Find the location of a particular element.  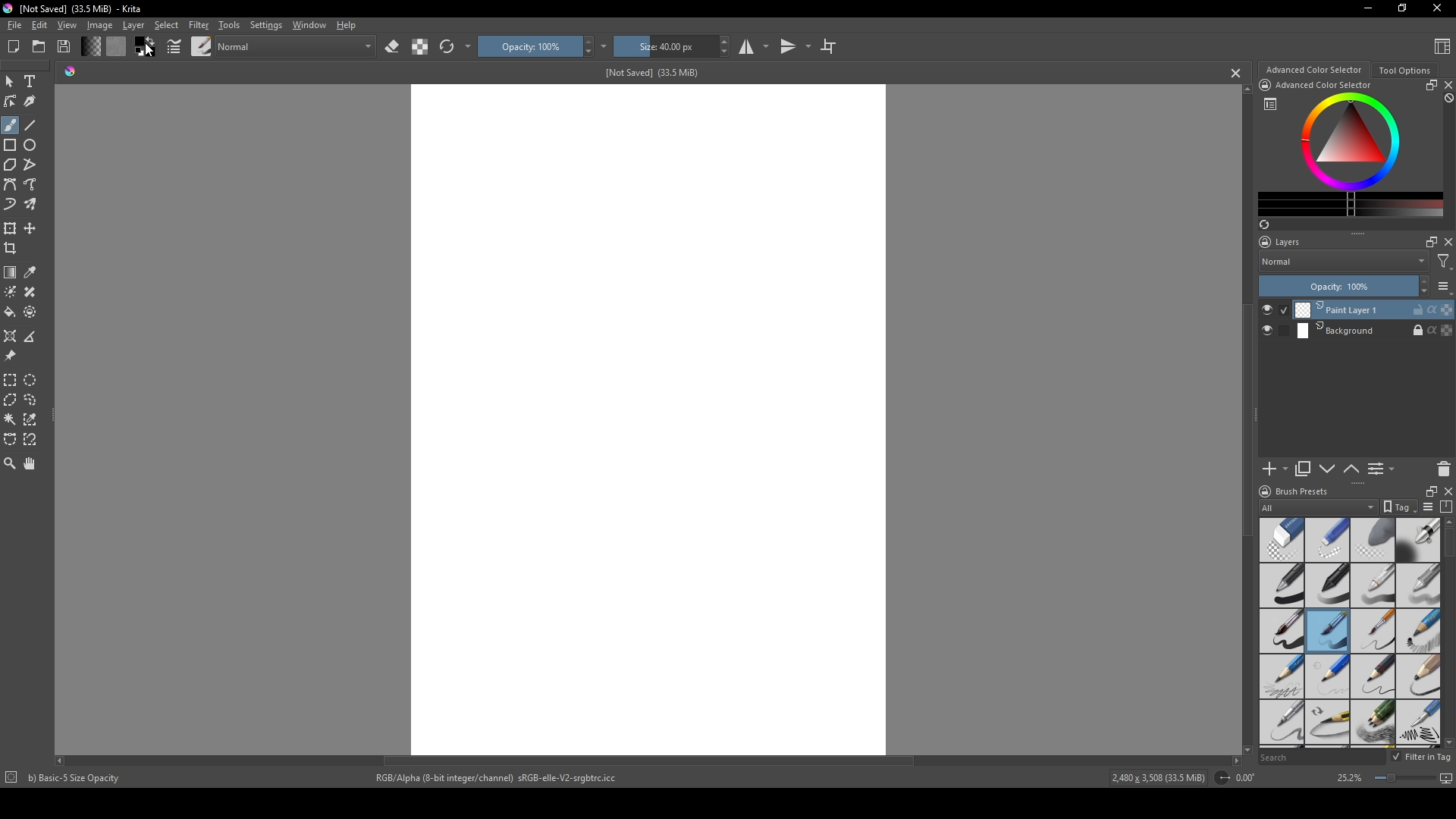

tag is located at coordinates (1398, 507).